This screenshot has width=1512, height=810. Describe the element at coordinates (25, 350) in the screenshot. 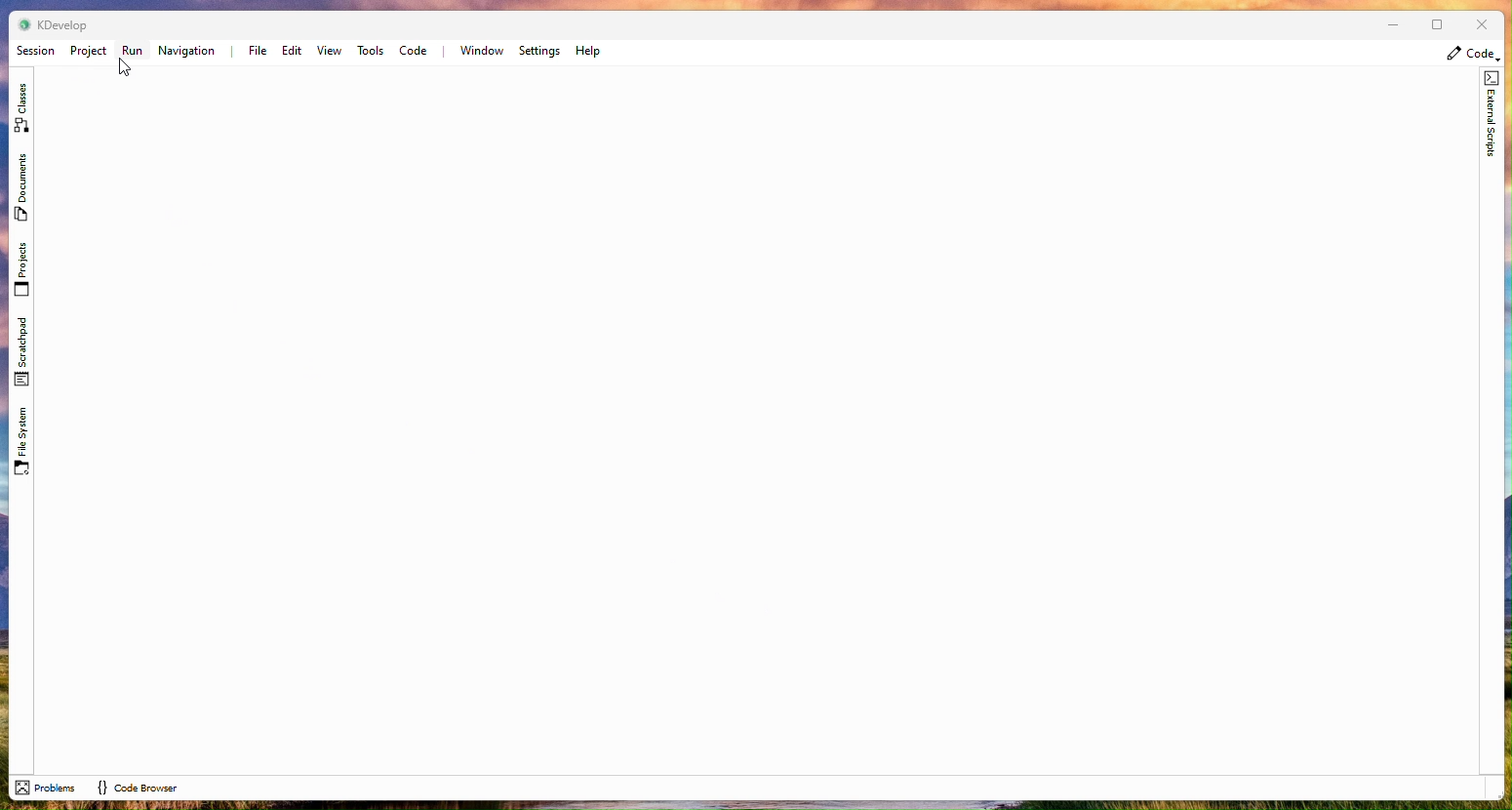

I see `Scratchpad` at that location.